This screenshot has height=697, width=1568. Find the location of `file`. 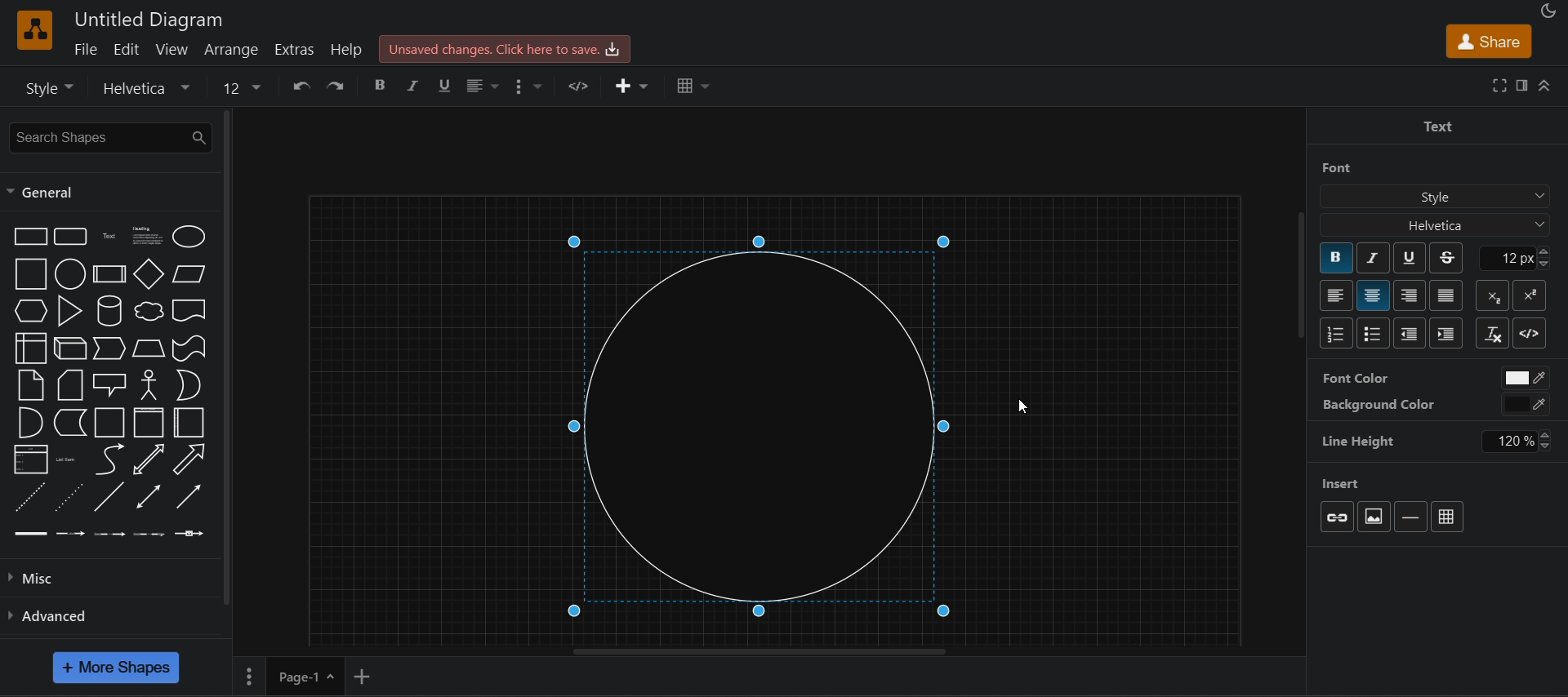

file is located at coordinates (88, 51).